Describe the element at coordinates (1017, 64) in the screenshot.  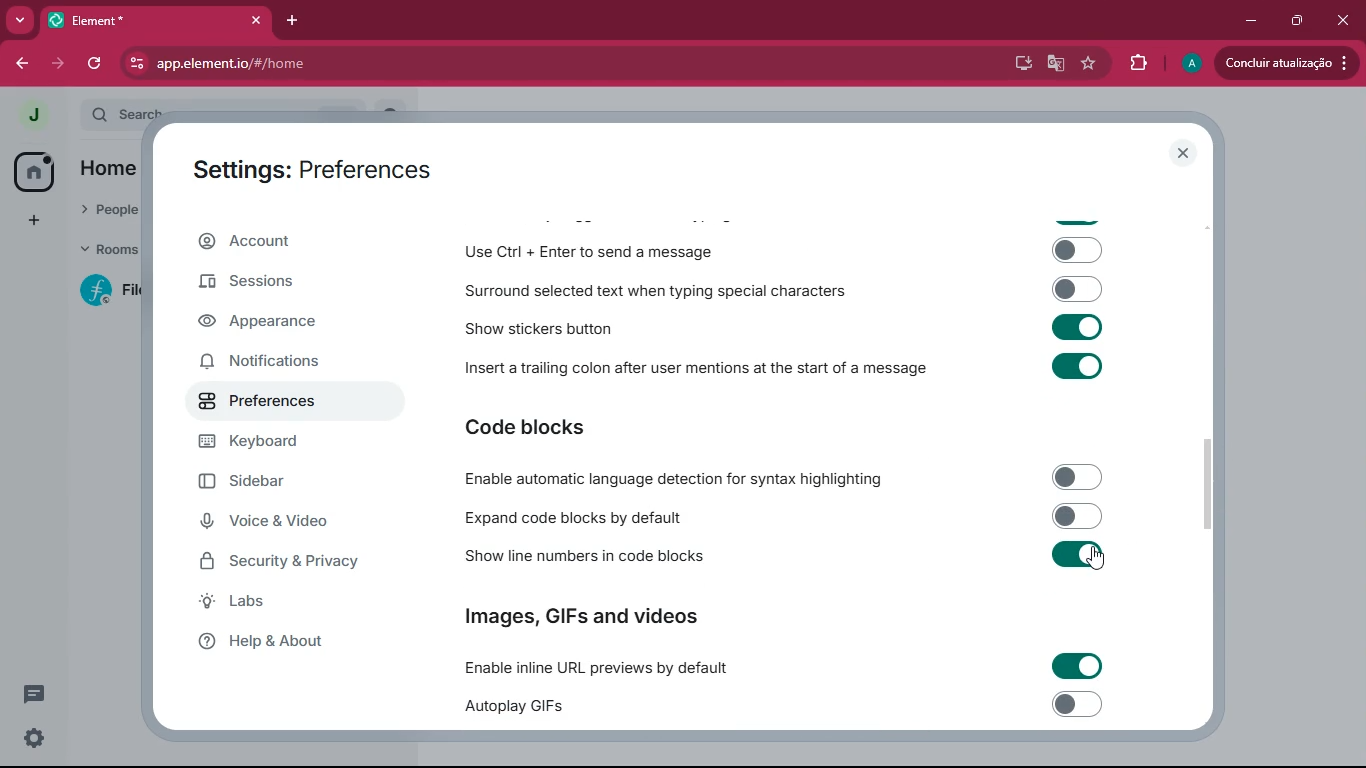
I see `desktop` at that location.